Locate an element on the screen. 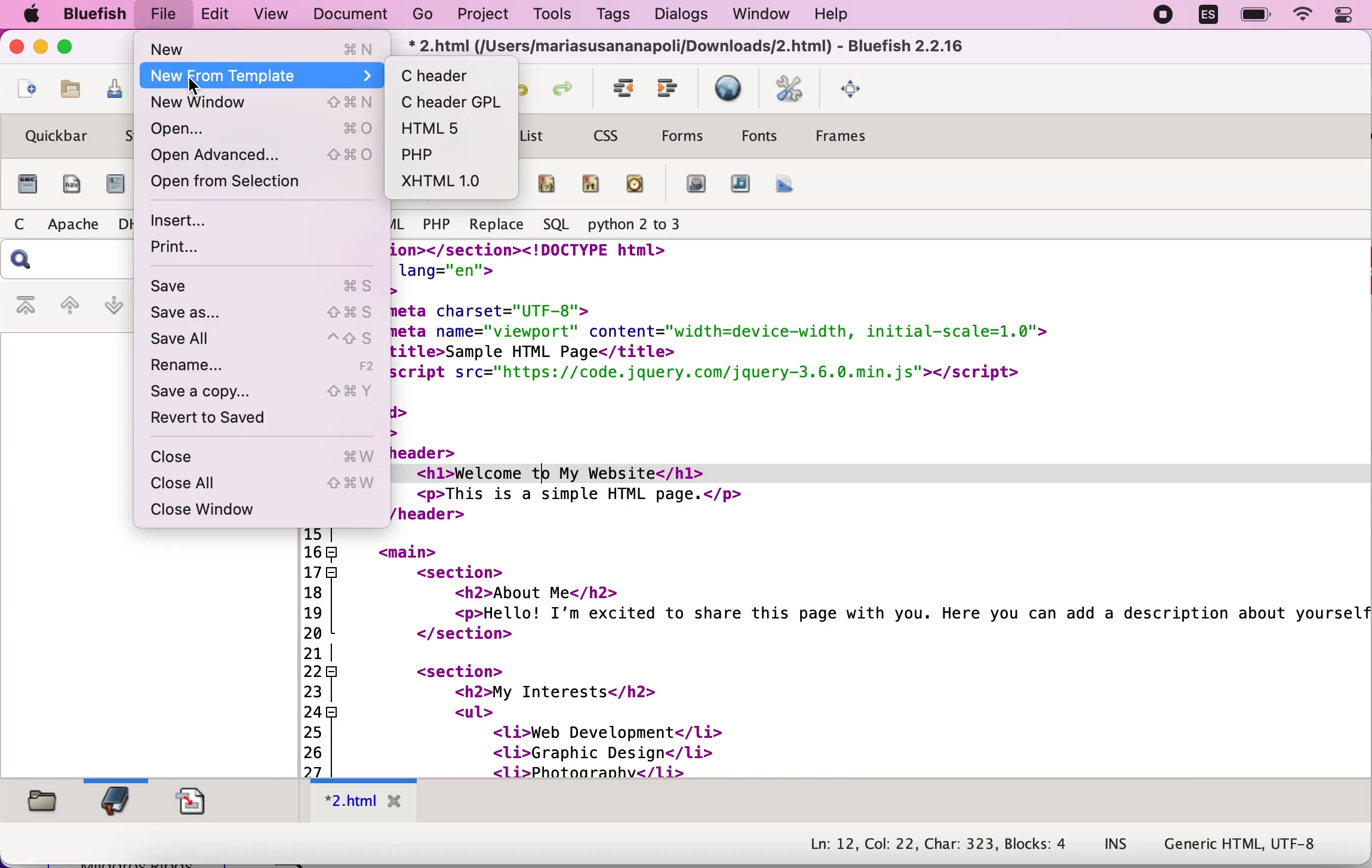 Image resolution: width=1372 pixels, height=868 pixels. new from template is located at coordinates (265, 76).